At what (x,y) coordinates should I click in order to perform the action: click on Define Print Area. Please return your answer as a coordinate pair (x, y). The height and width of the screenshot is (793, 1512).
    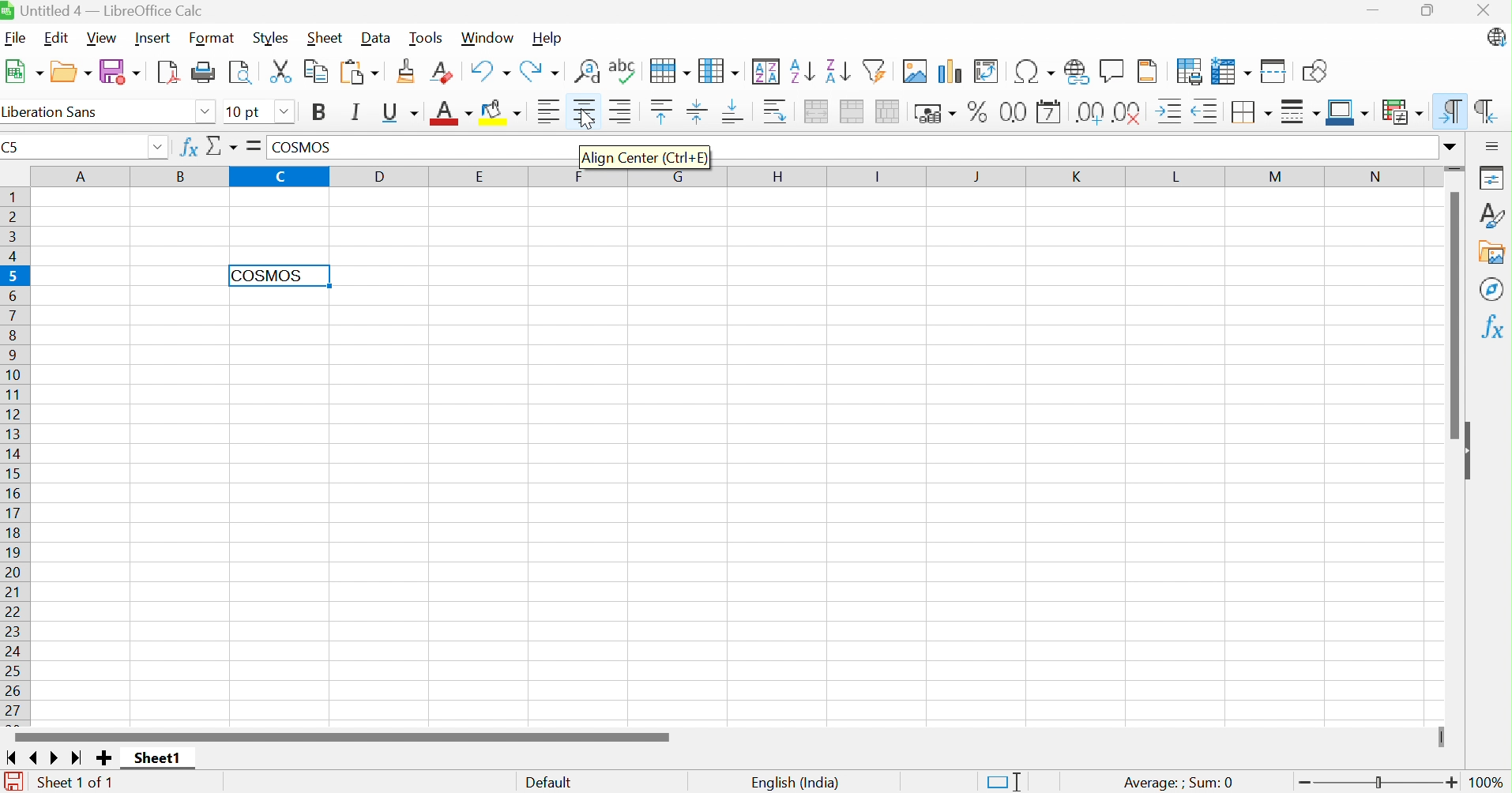
    Looking at the image, I should click on (1190, 72).